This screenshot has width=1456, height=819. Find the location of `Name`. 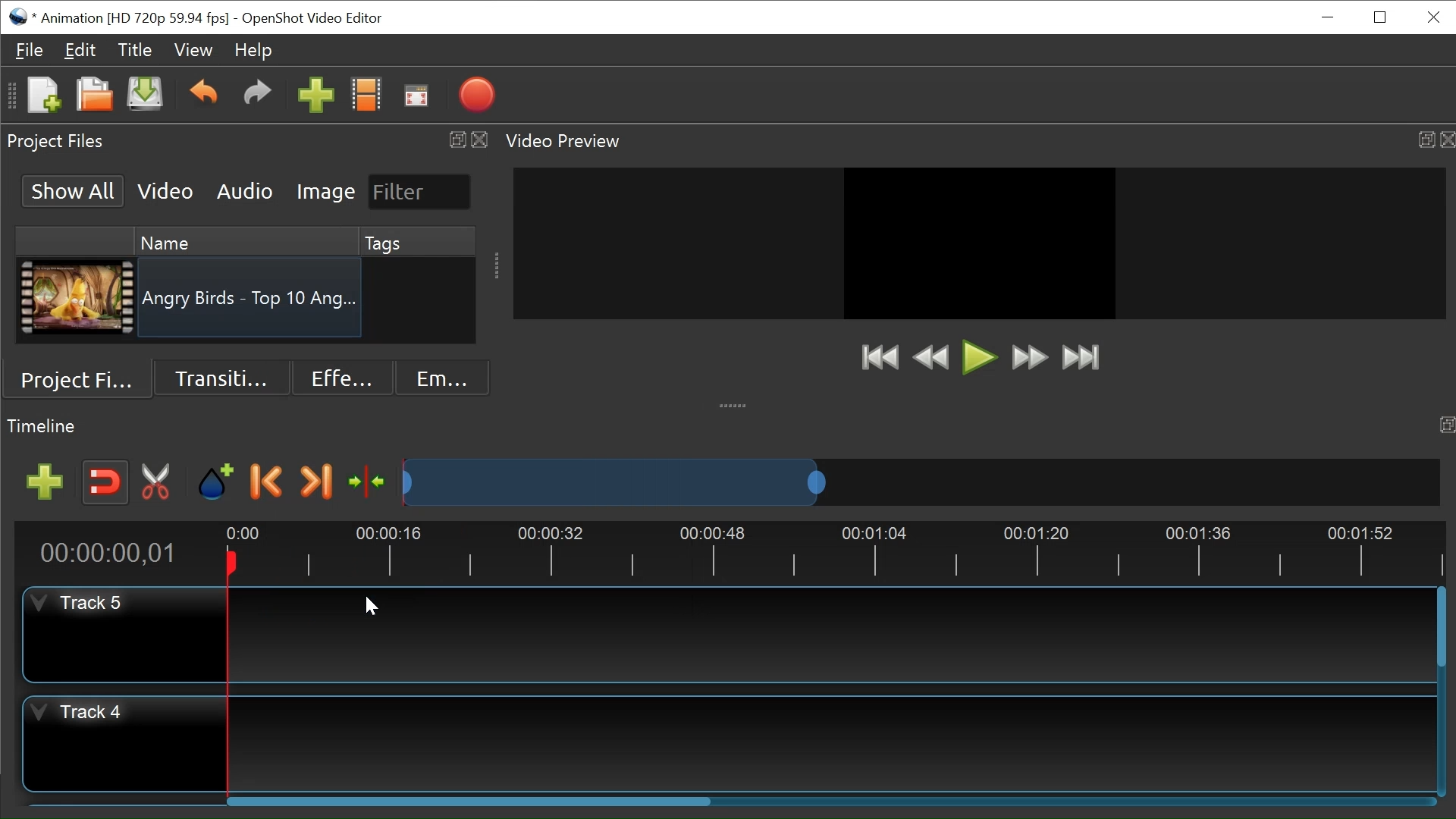

Name is located at coordinates (236, 240).